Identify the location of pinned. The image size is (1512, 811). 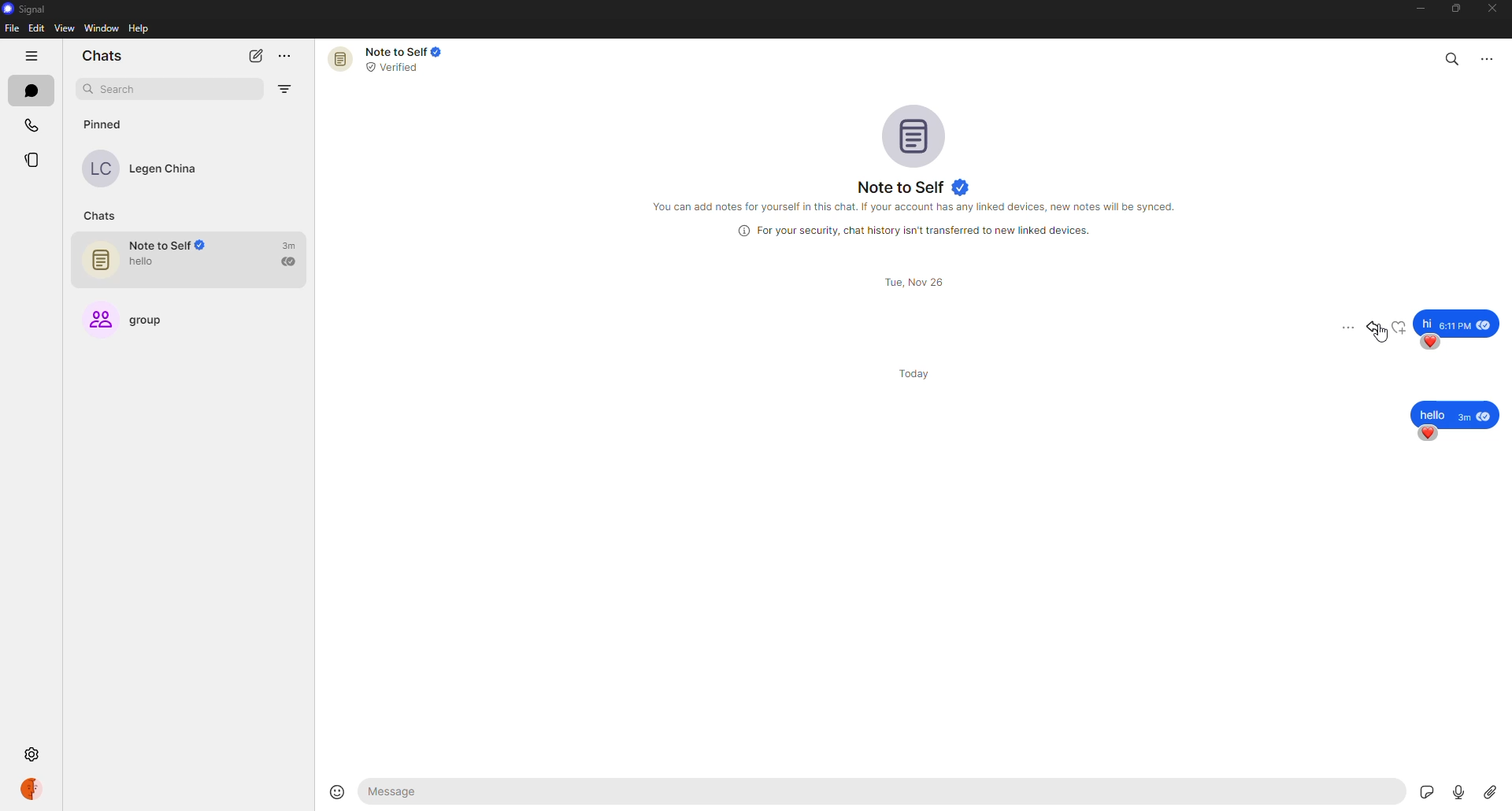
(103, 126).